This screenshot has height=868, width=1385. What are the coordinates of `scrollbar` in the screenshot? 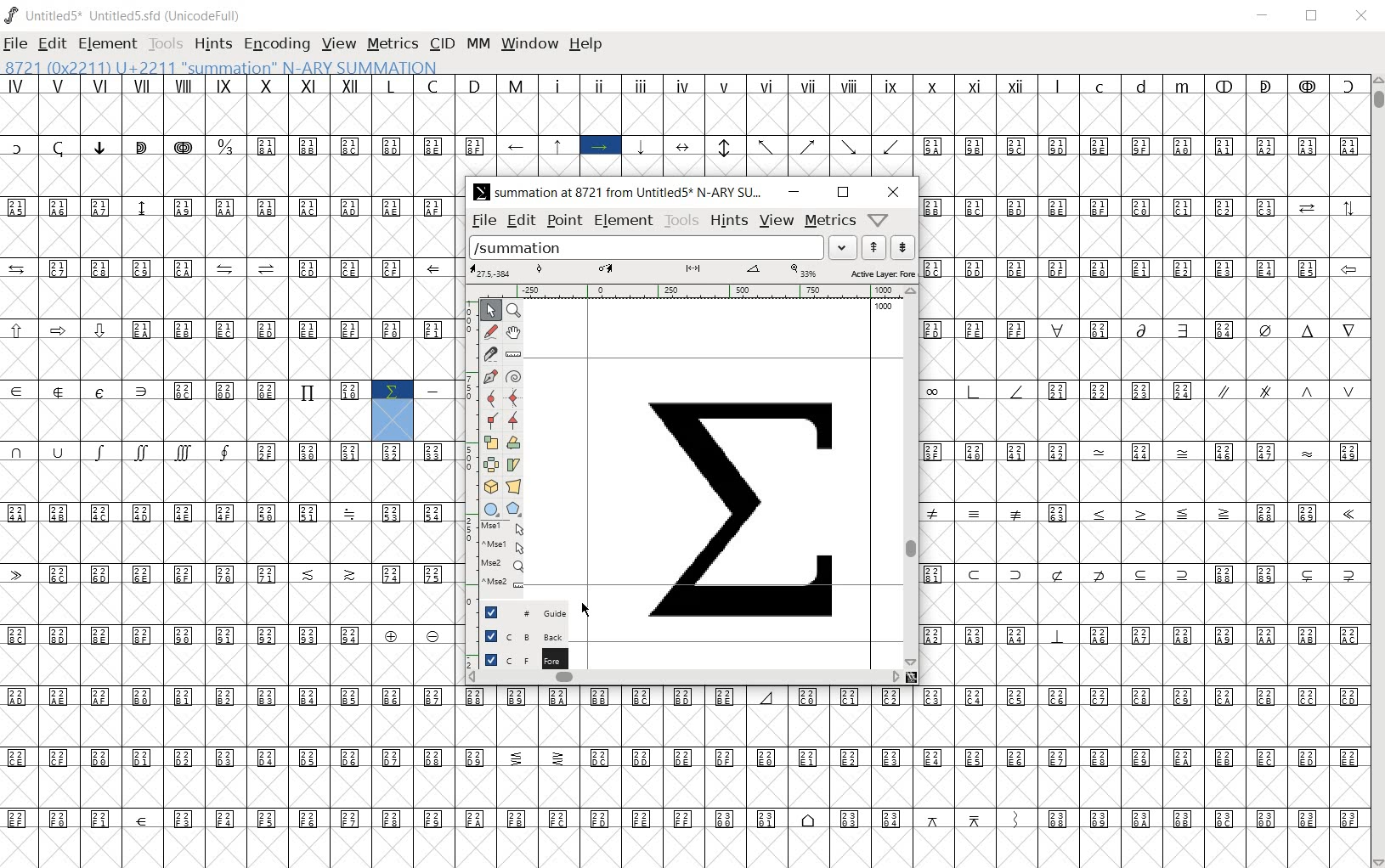 It's located at (913, 476).